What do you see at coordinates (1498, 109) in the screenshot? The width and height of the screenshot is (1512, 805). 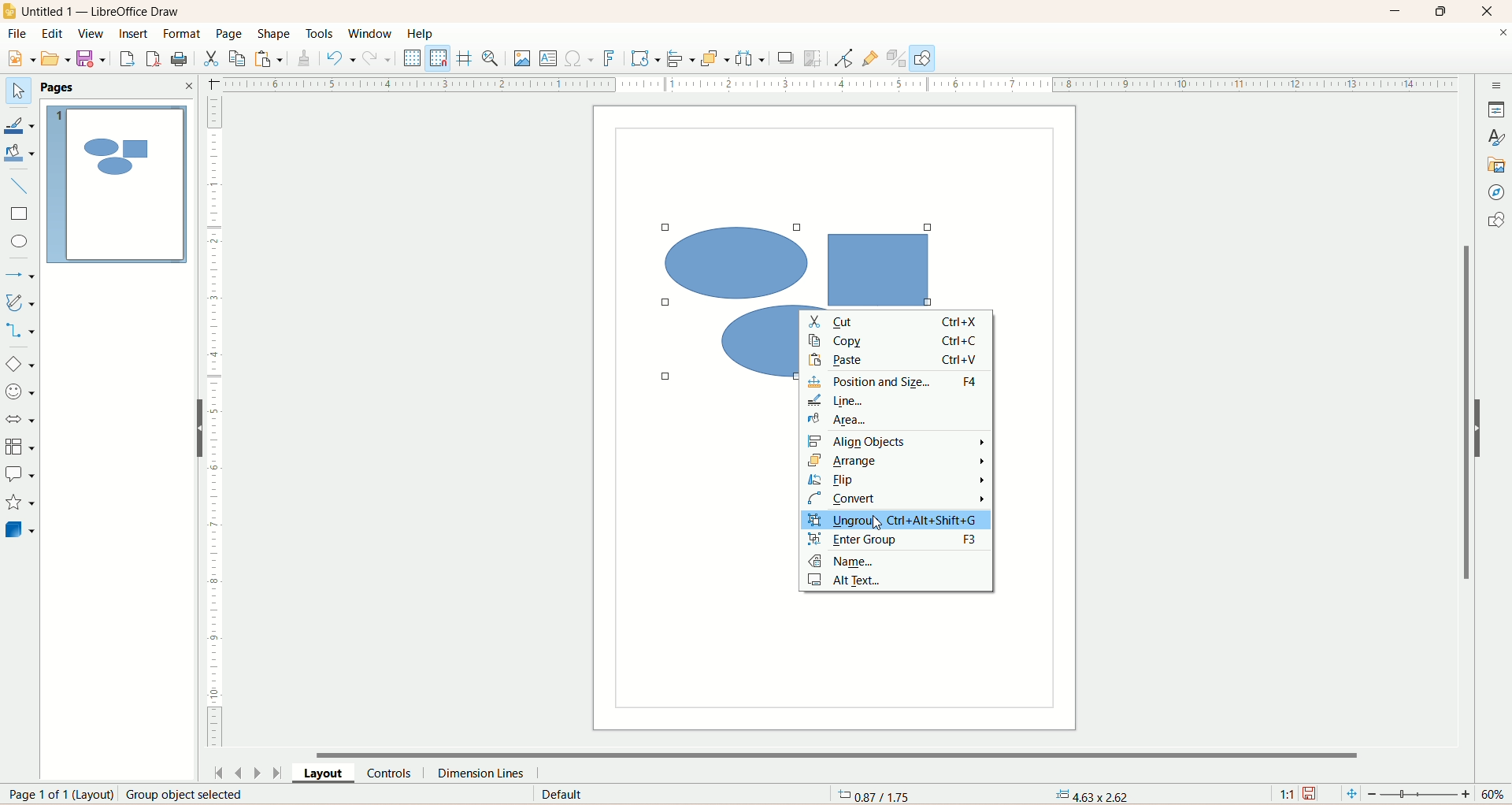 I see `properties` at bounding box center [1498, 109].